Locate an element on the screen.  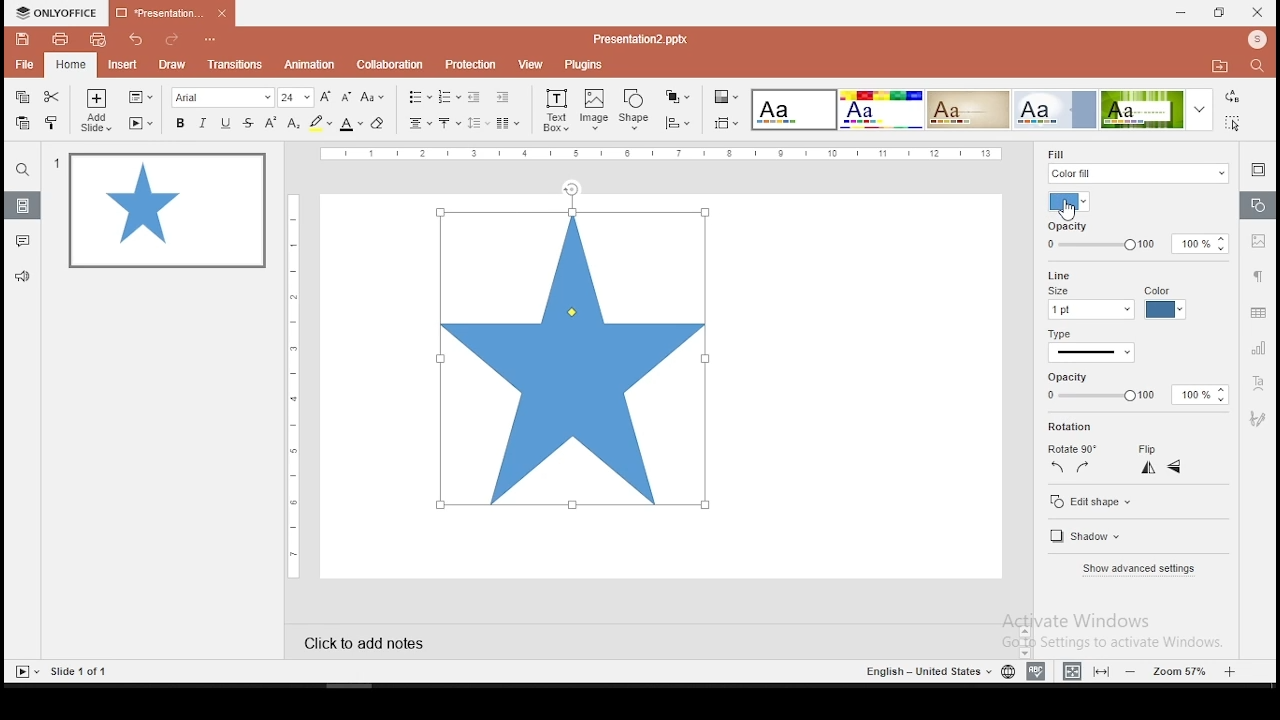
change case is located at coordinates (373, 96).